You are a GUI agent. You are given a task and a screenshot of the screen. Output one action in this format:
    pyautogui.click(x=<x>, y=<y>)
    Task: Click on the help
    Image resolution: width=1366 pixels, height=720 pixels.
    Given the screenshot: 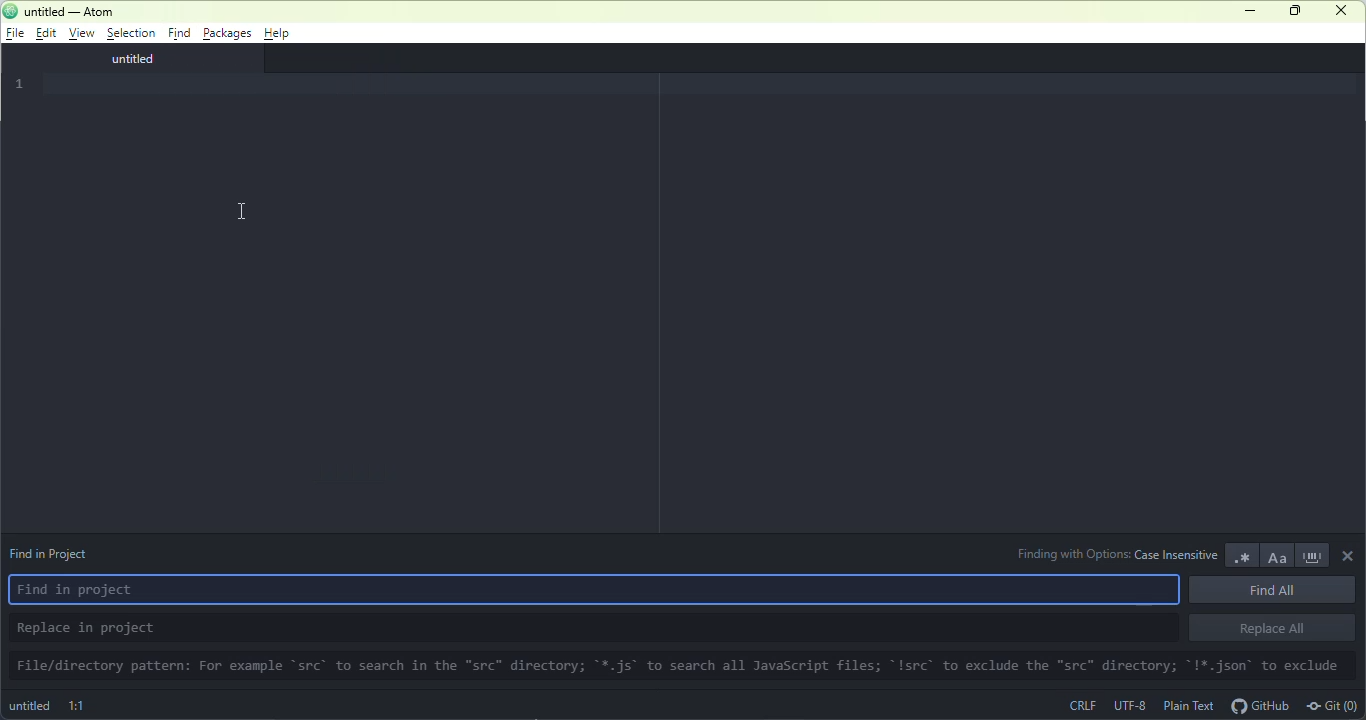 What is the action you would take?
    pyautogui.click(x=279, y=34)
    